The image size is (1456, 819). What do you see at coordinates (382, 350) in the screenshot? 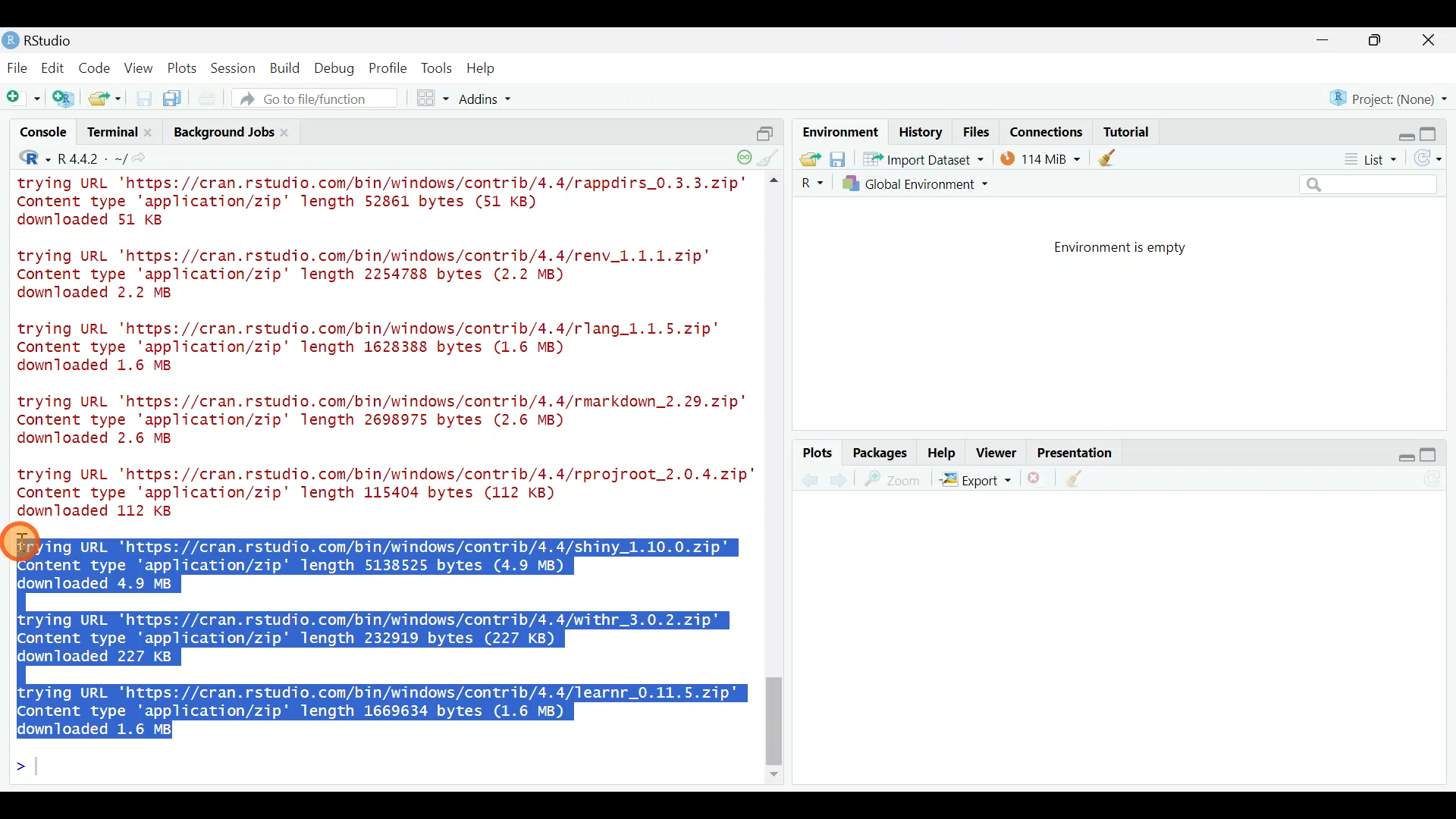
I see `trying URL 'https://cran.rstudio.com/bin/windows/contrib/4.4/rlang_1.1.5.zip"
Content type 'application/zip' length 1628388 bytes (1.6 MB)
downloaded 1.6 MB` at bounding box center [382, 350].